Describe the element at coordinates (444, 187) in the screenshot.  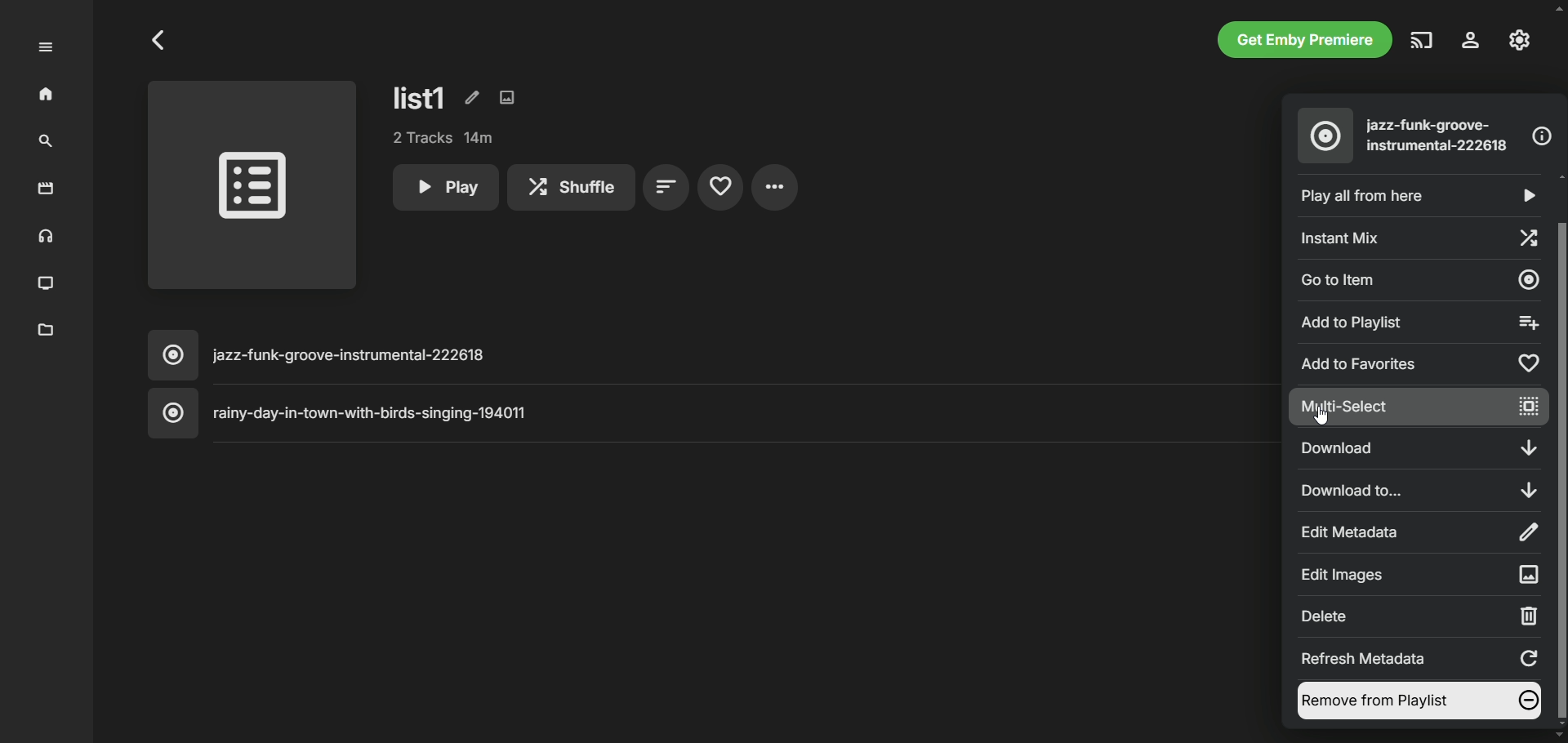
I see `play` at that location.